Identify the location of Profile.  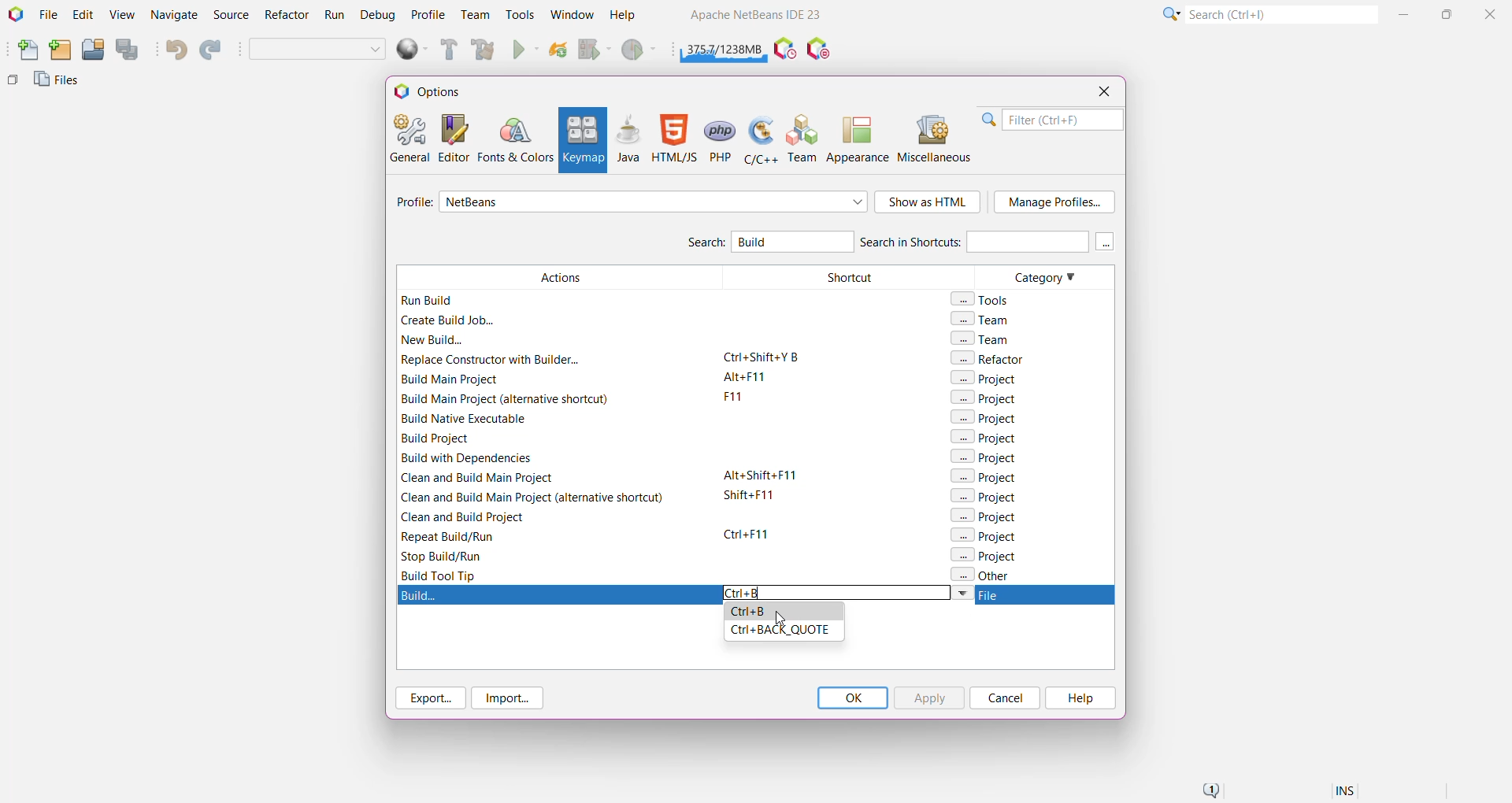
(412, 204).